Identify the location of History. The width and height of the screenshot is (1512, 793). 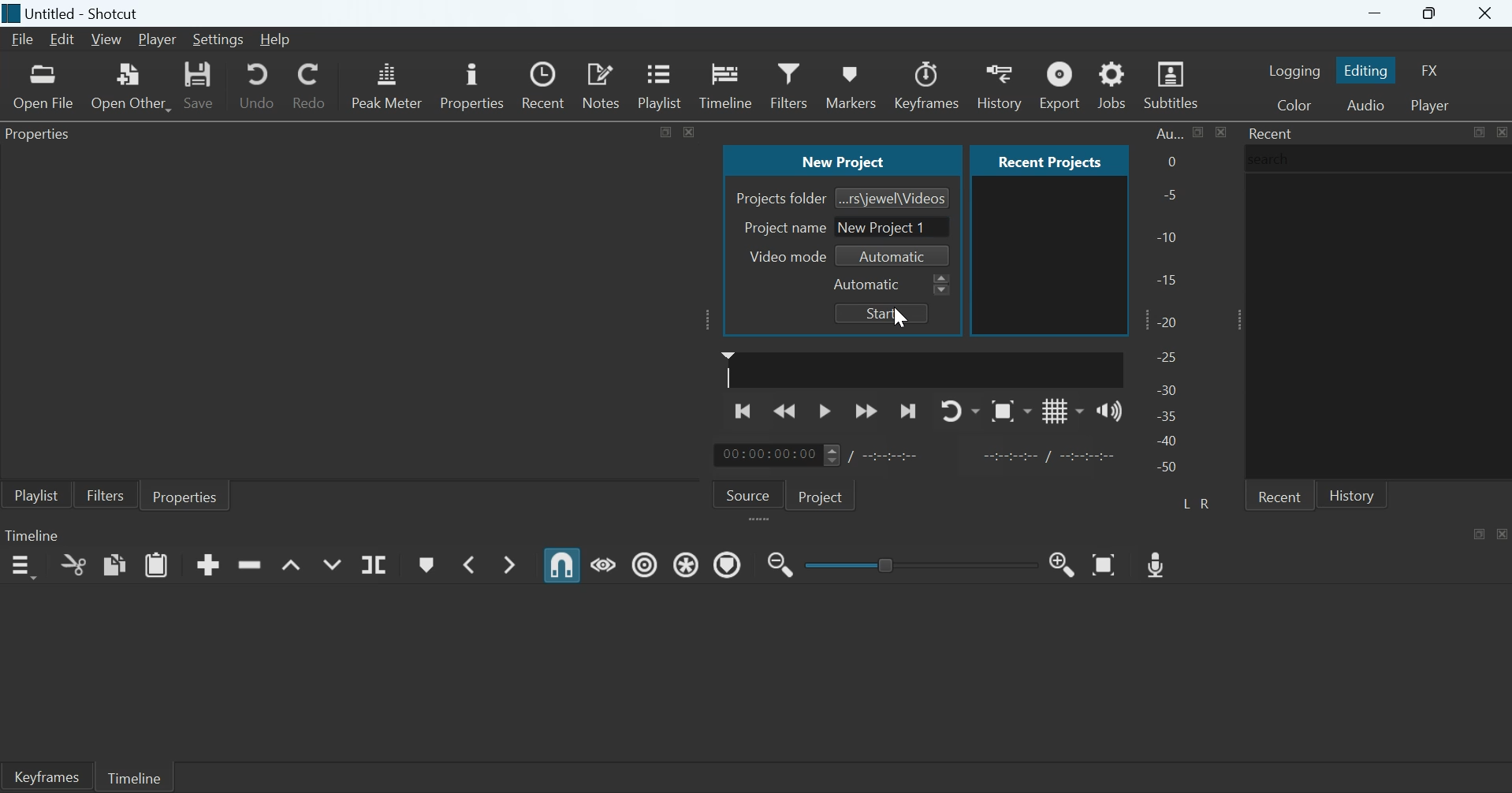
(1352, 494).